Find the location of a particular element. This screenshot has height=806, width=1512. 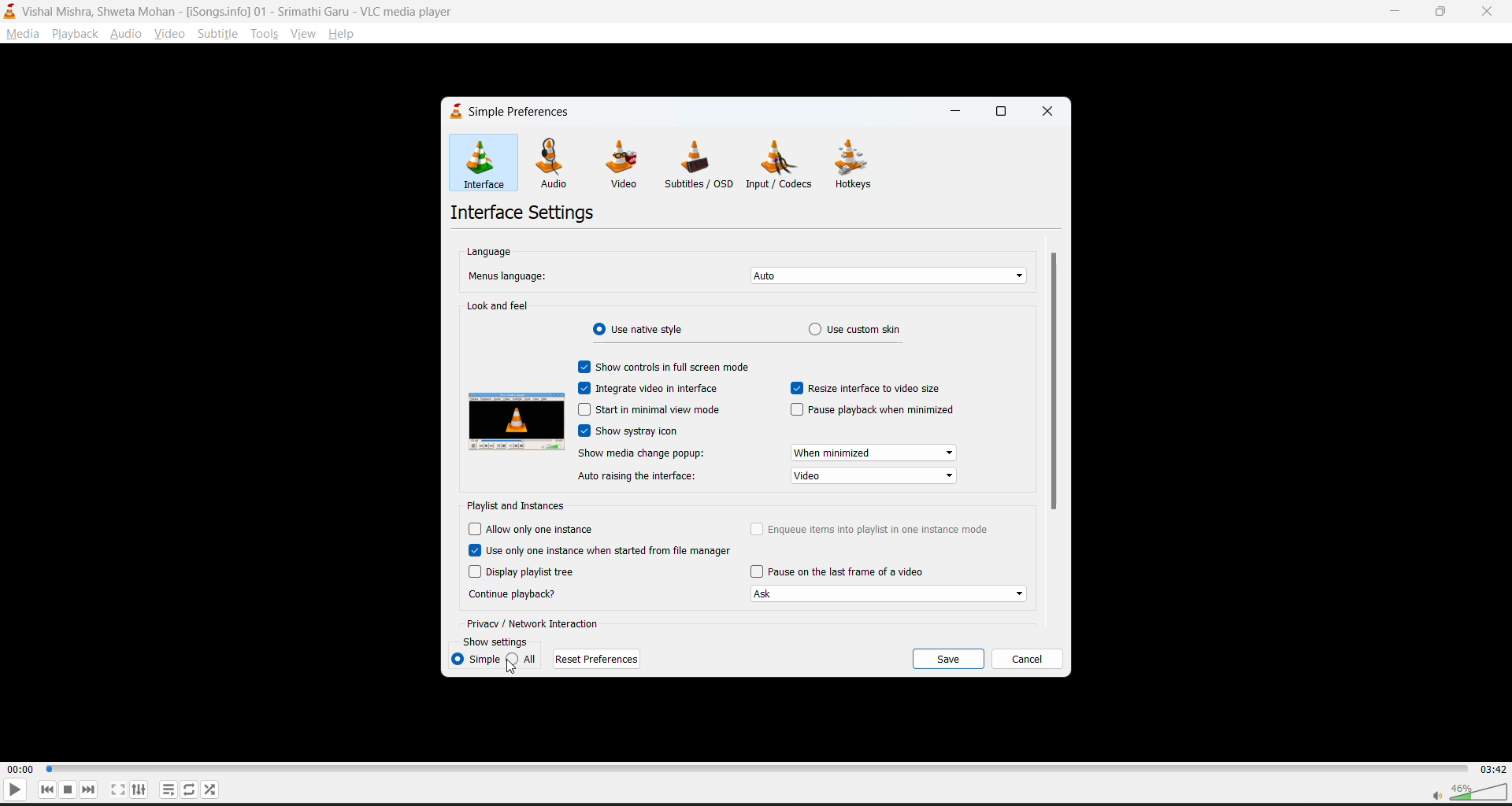

show media change popup is located at coordinates (642, 454).